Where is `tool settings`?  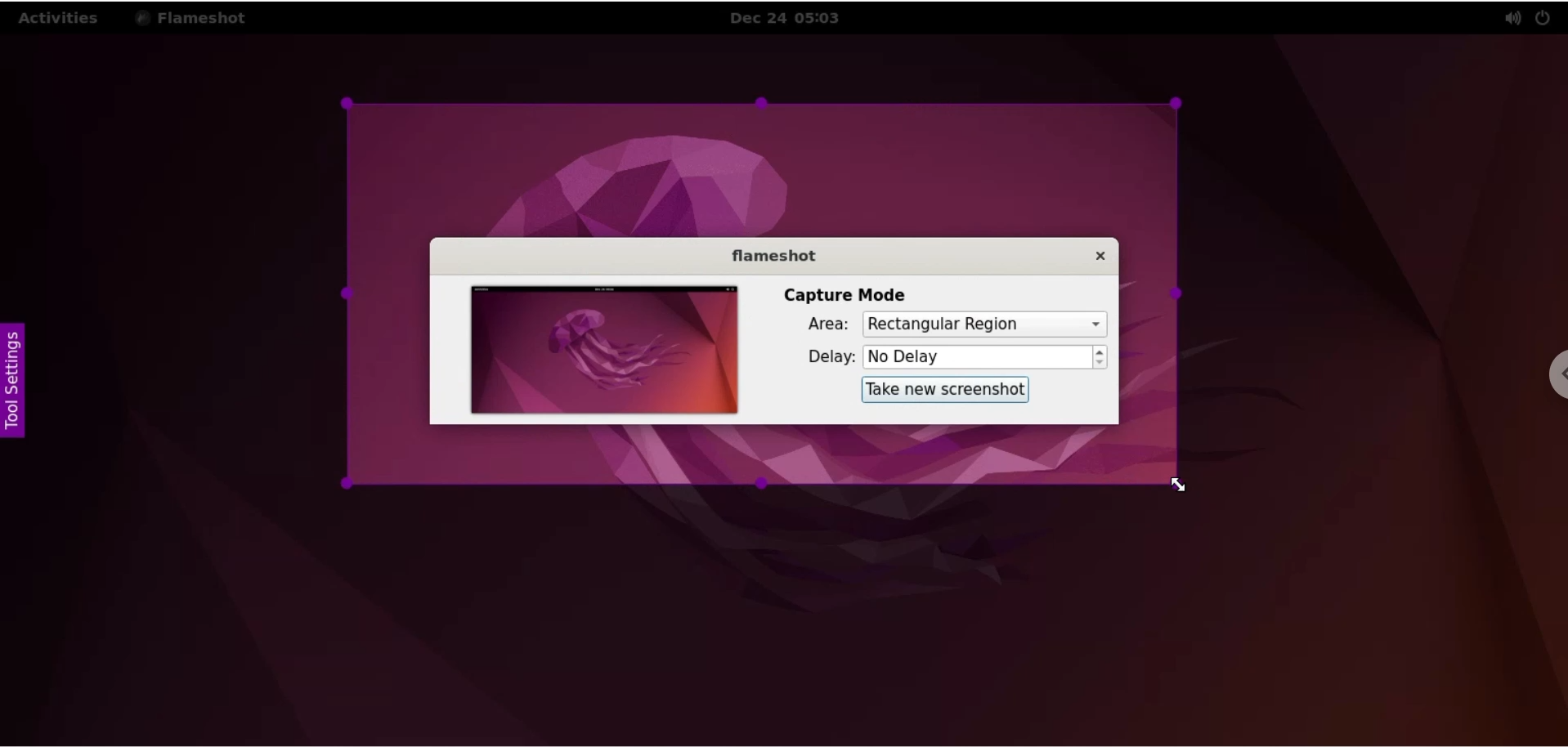
tool settings is located at coordinates (16, 382).